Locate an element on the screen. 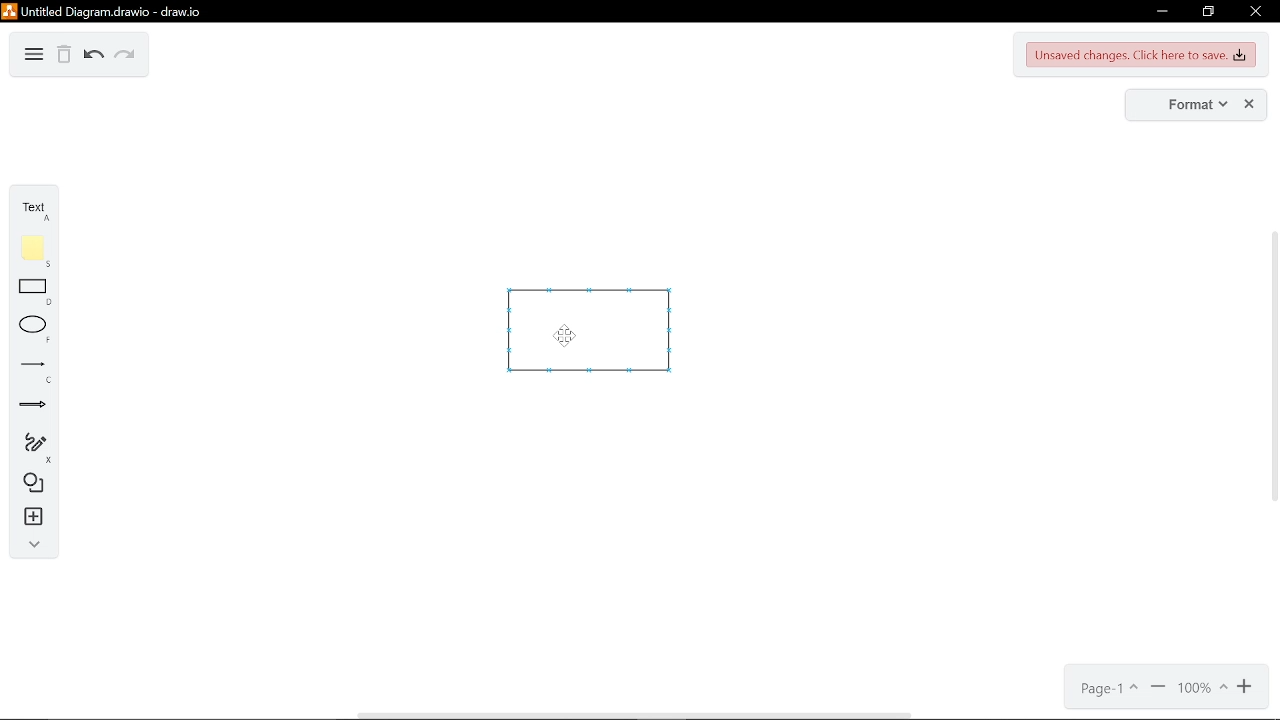 This screenshot has width=1280, height=720. lines is located at coordinates (36, 372).